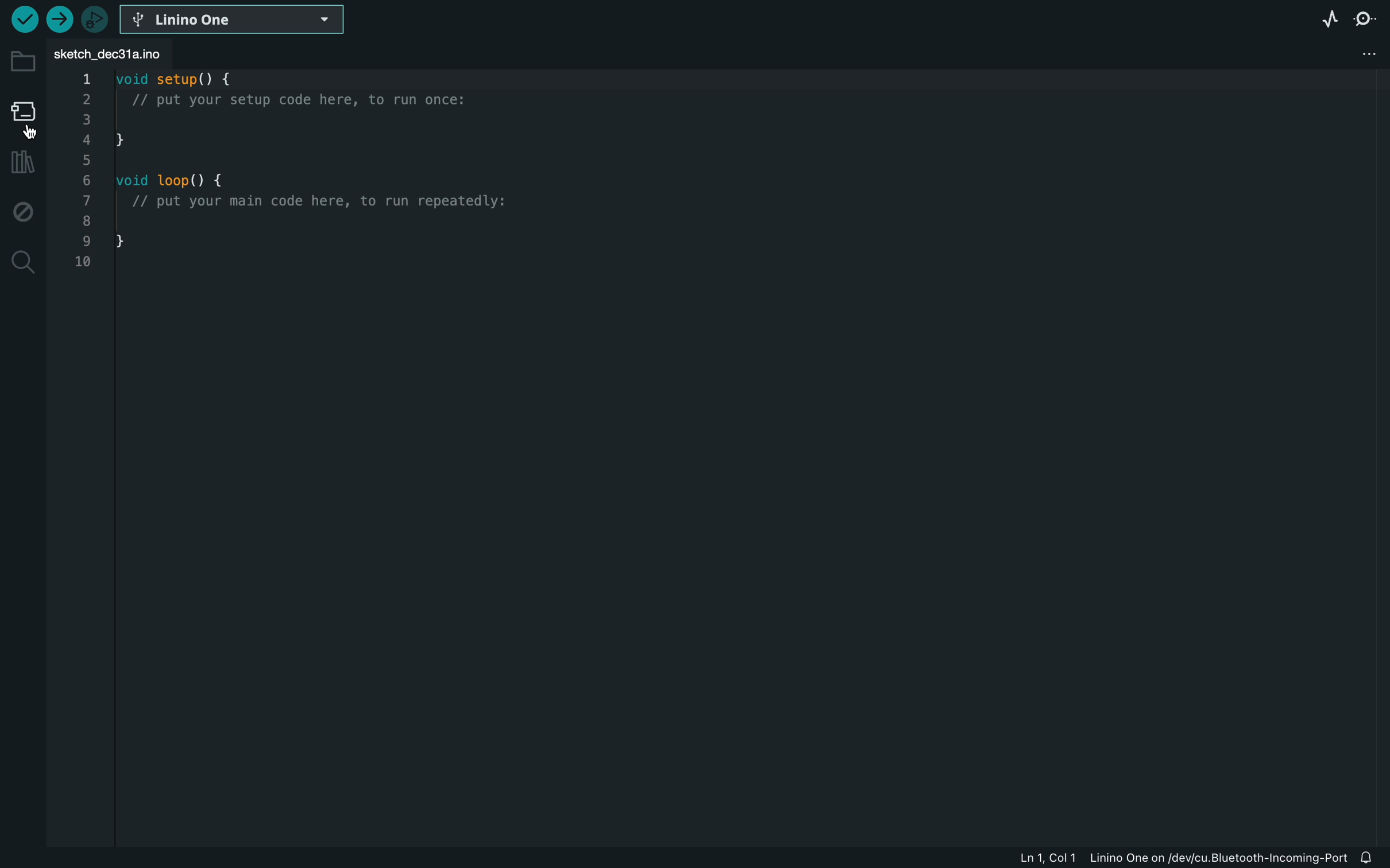 This screenshot has width=1390, height=868. Describe the element at coordinates (1182, 857) in the screenshot. I see `file information` at that location.